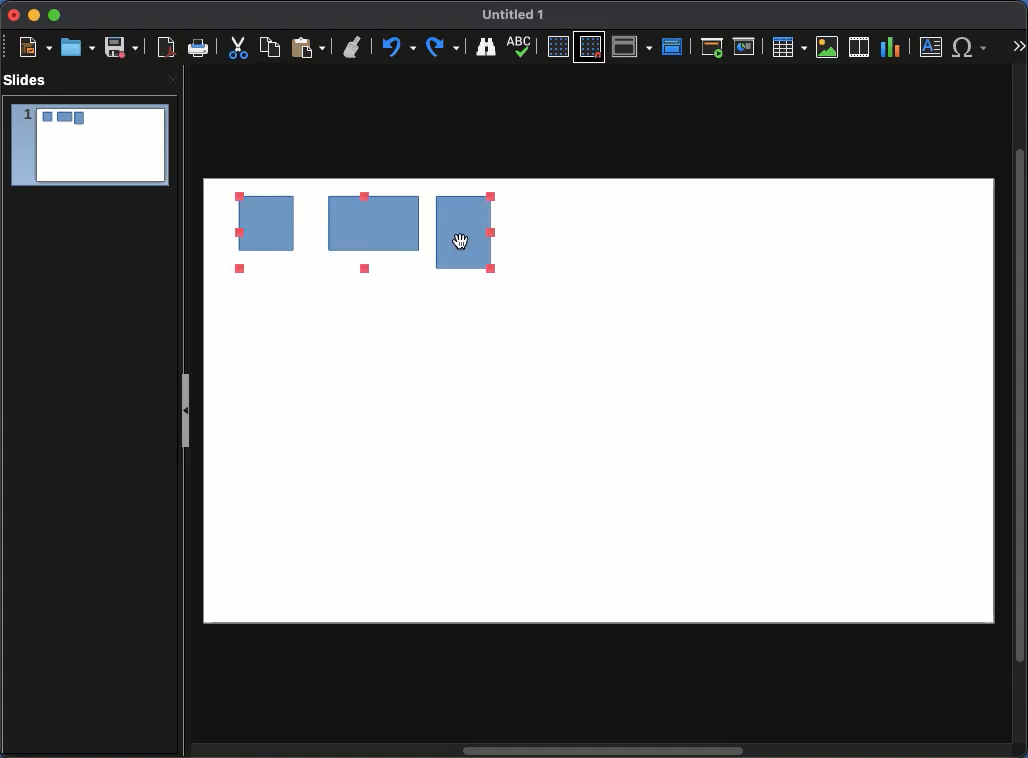 The image size is (1028, 758). What do you see at coordinates (790, 47) in the screenshot?
I see `Table` at bounding box center [790, 47].